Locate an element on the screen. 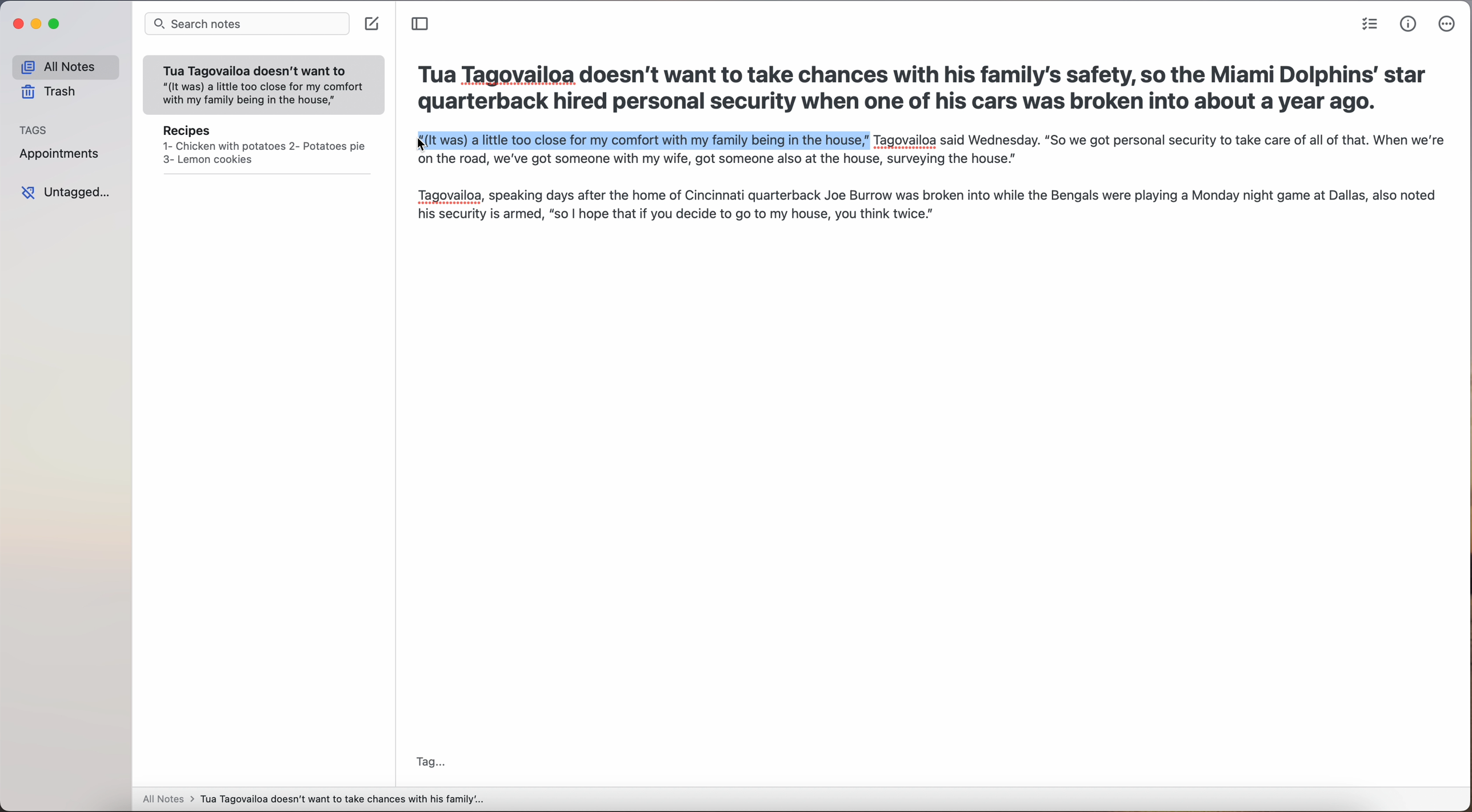  all notes is located at coordinates (65, 66).